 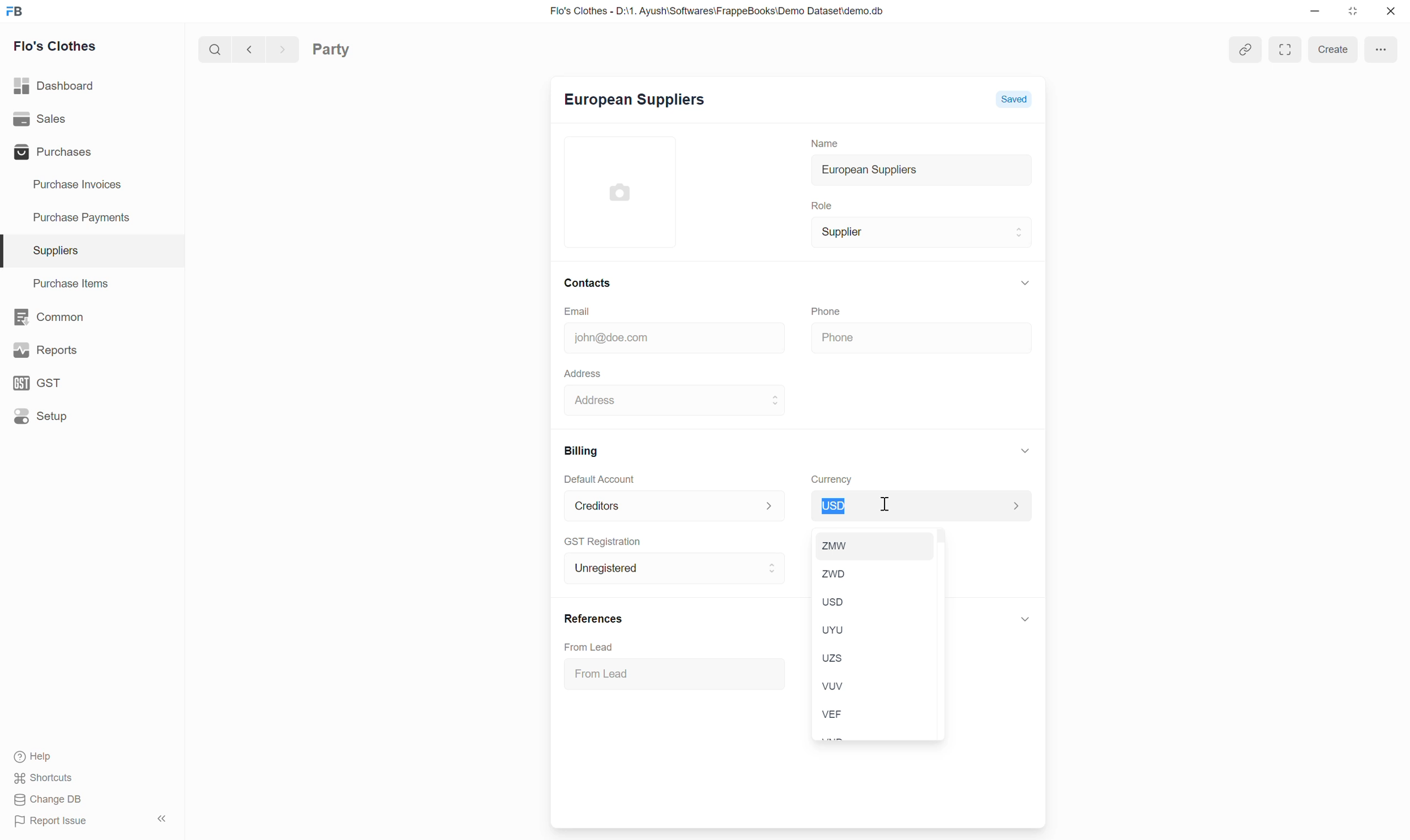 What do you see at coordinates (834, 503) in the screenshot?
I see `usD` at bounding box center [834, 503].